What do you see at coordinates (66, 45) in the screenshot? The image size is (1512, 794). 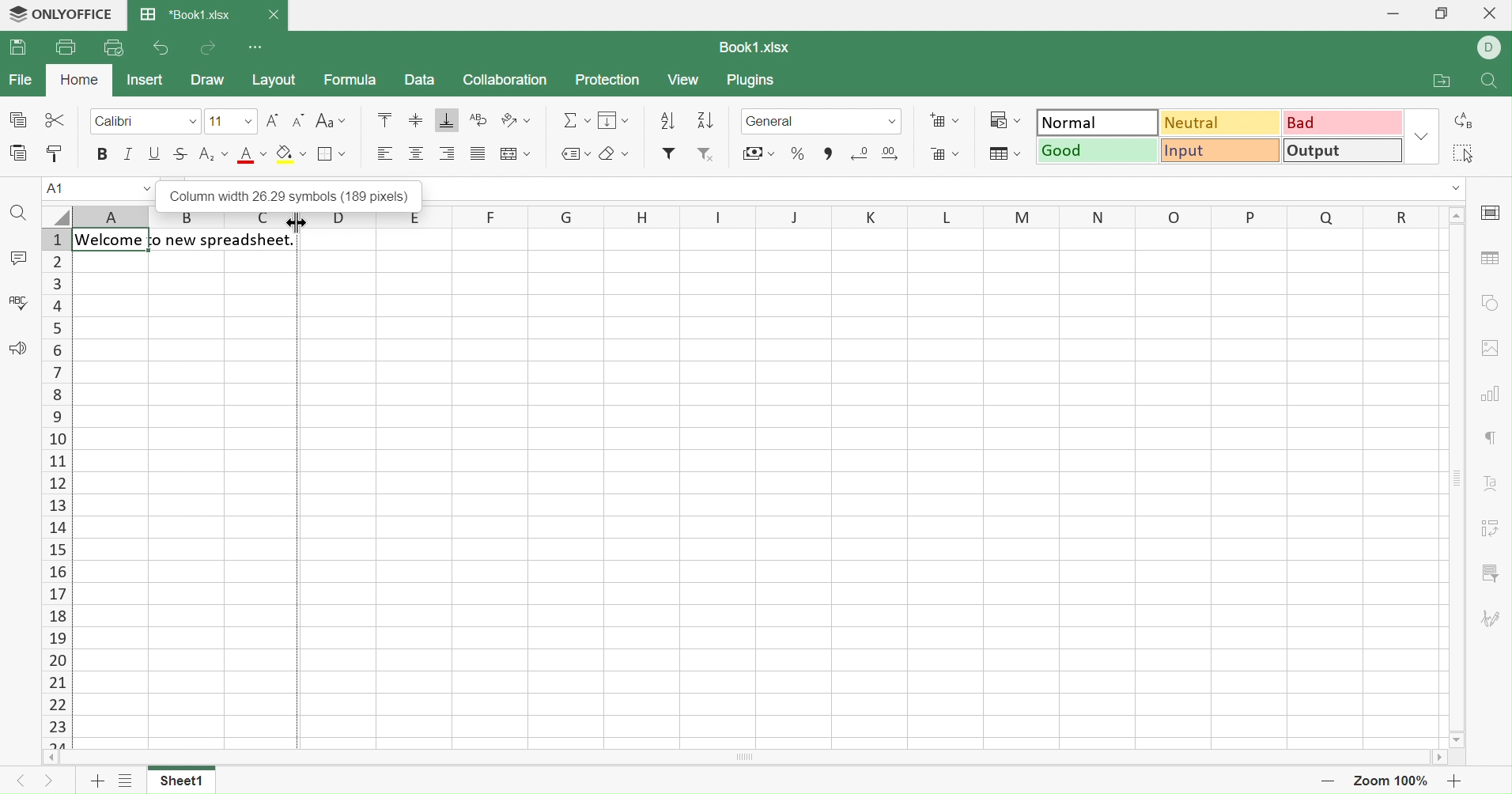 I see `Print` at bounding box center [66, 45].